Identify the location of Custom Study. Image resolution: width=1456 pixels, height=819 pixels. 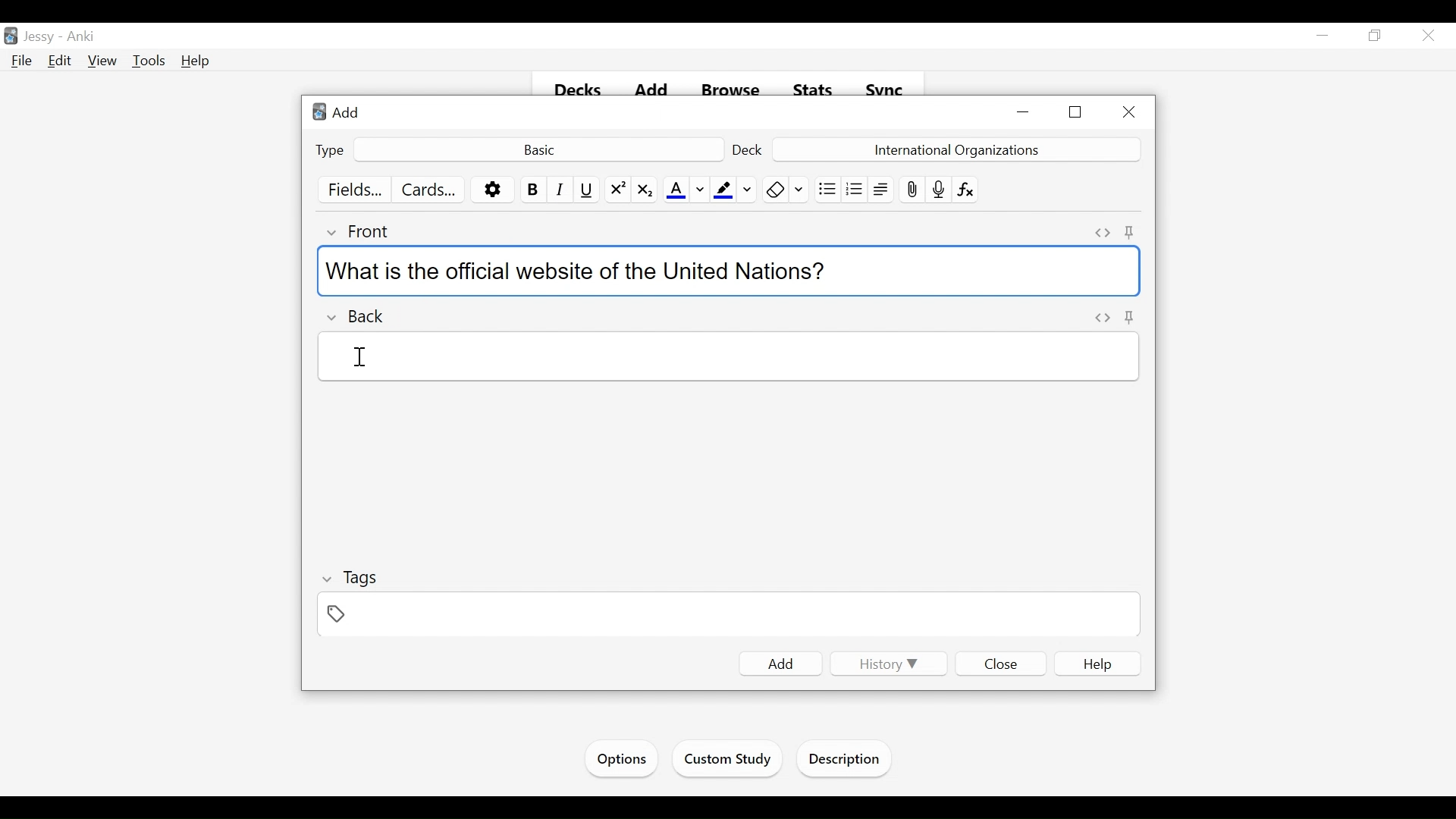
(726, 761).